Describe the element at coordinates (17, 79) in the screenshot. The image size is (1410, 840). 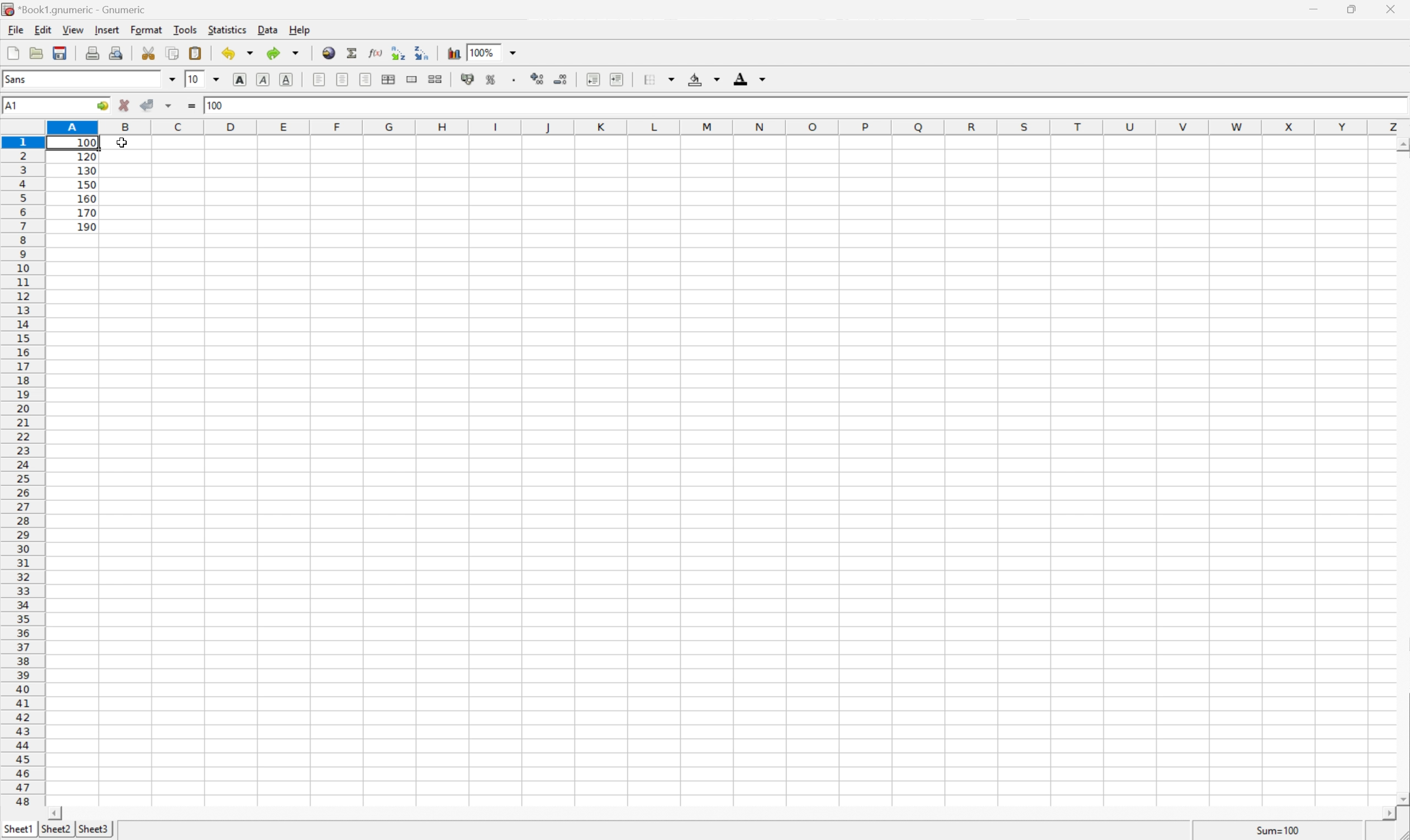
I see `Sans` at that location.